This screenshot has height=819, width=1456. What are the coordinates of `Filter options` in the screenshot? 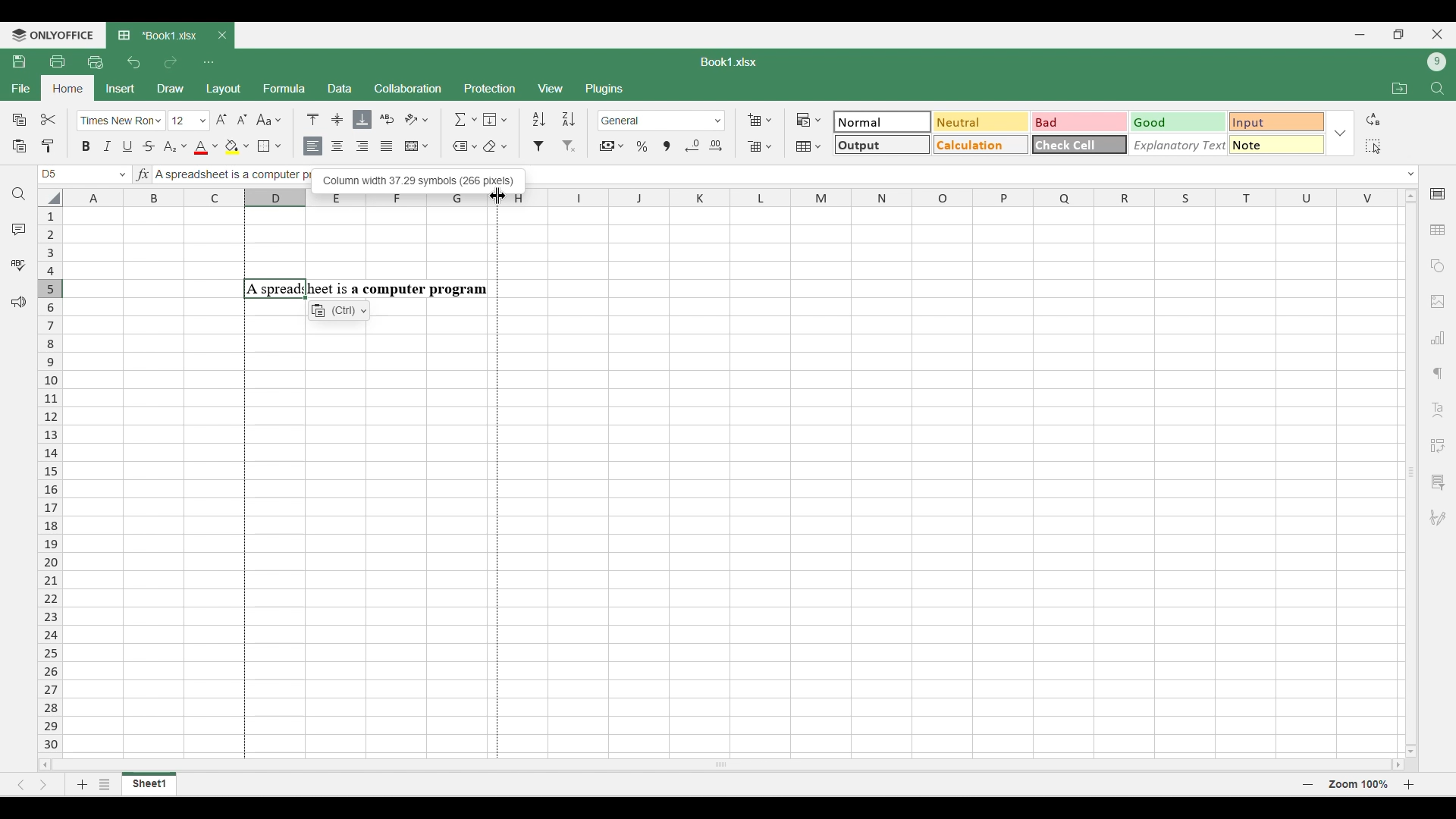 It's located at (554, 146).